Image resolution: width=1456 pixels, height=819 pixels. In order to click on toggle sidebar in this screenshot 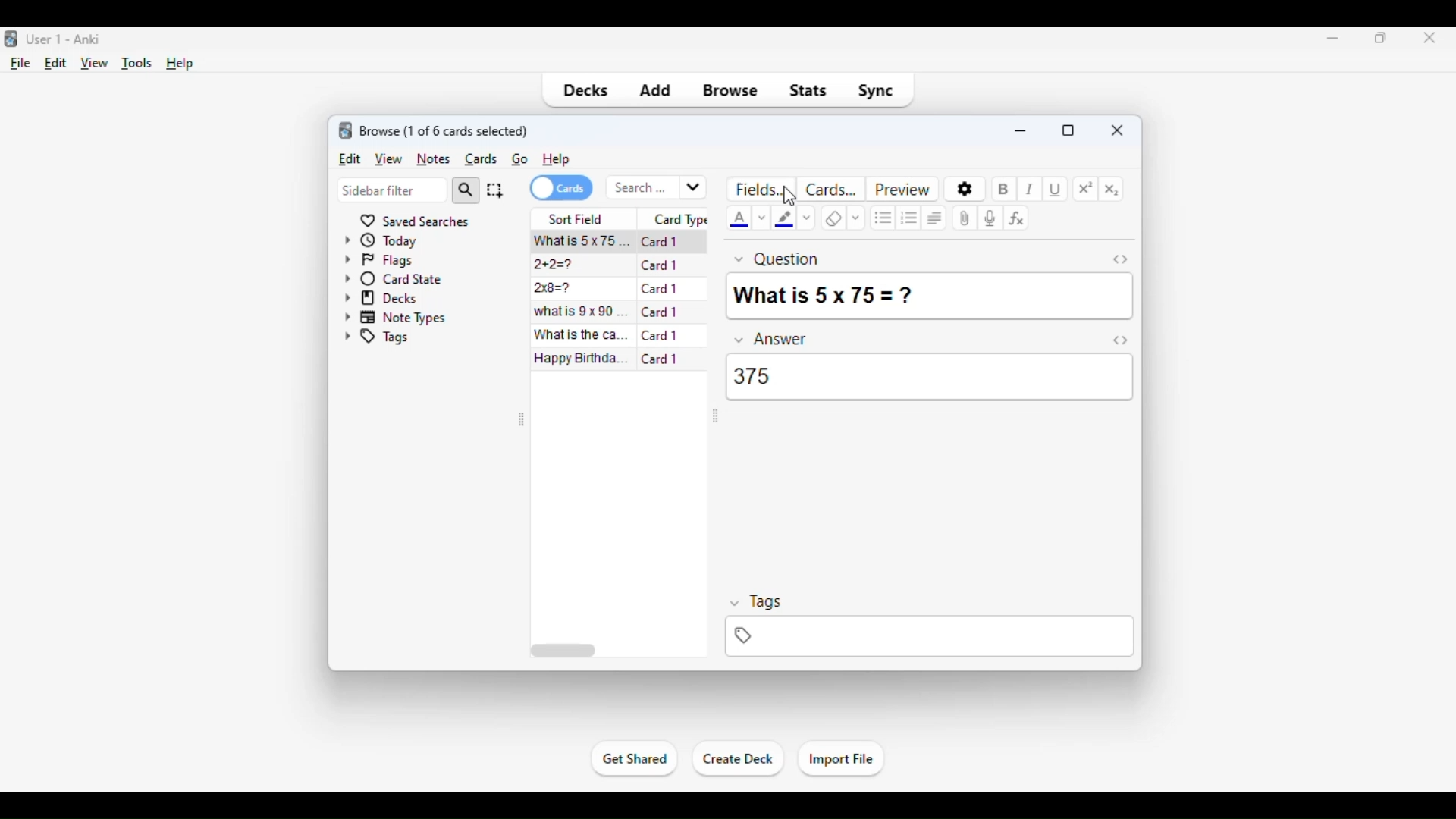, I will do `click(522, 419)`.